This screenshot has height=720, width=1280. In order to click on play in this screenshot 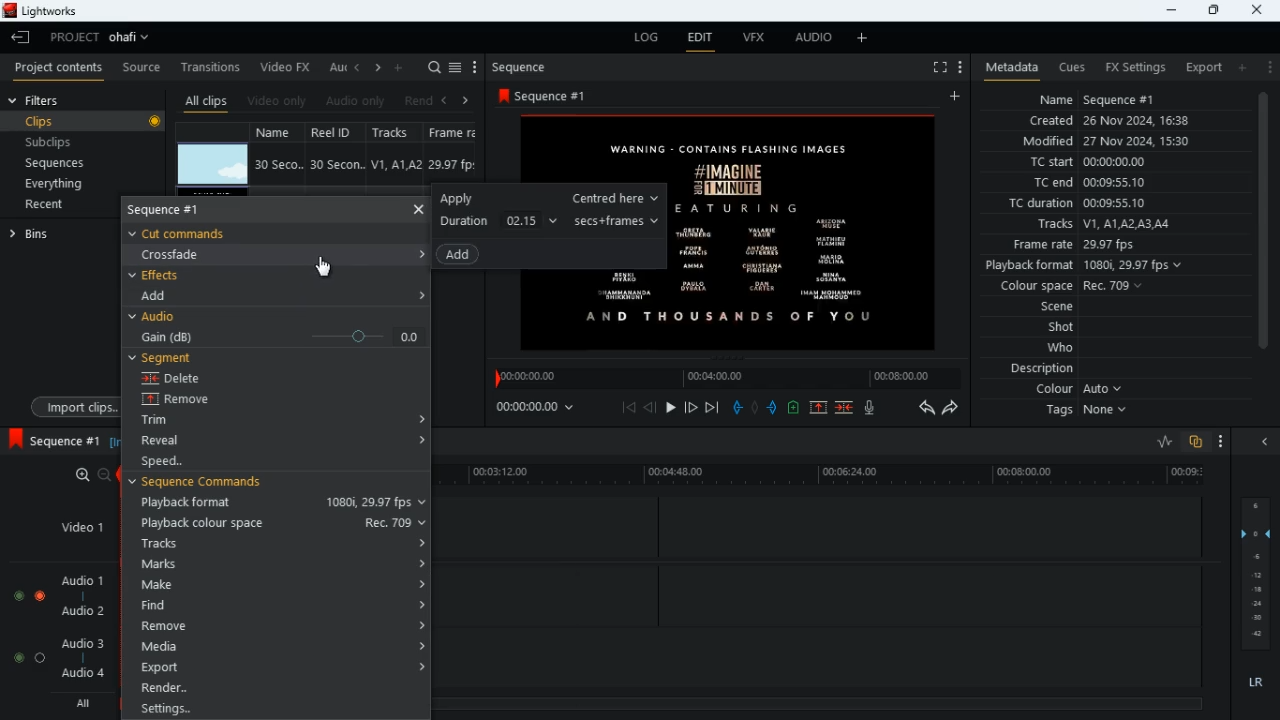, I will do `click(670, 409)`.